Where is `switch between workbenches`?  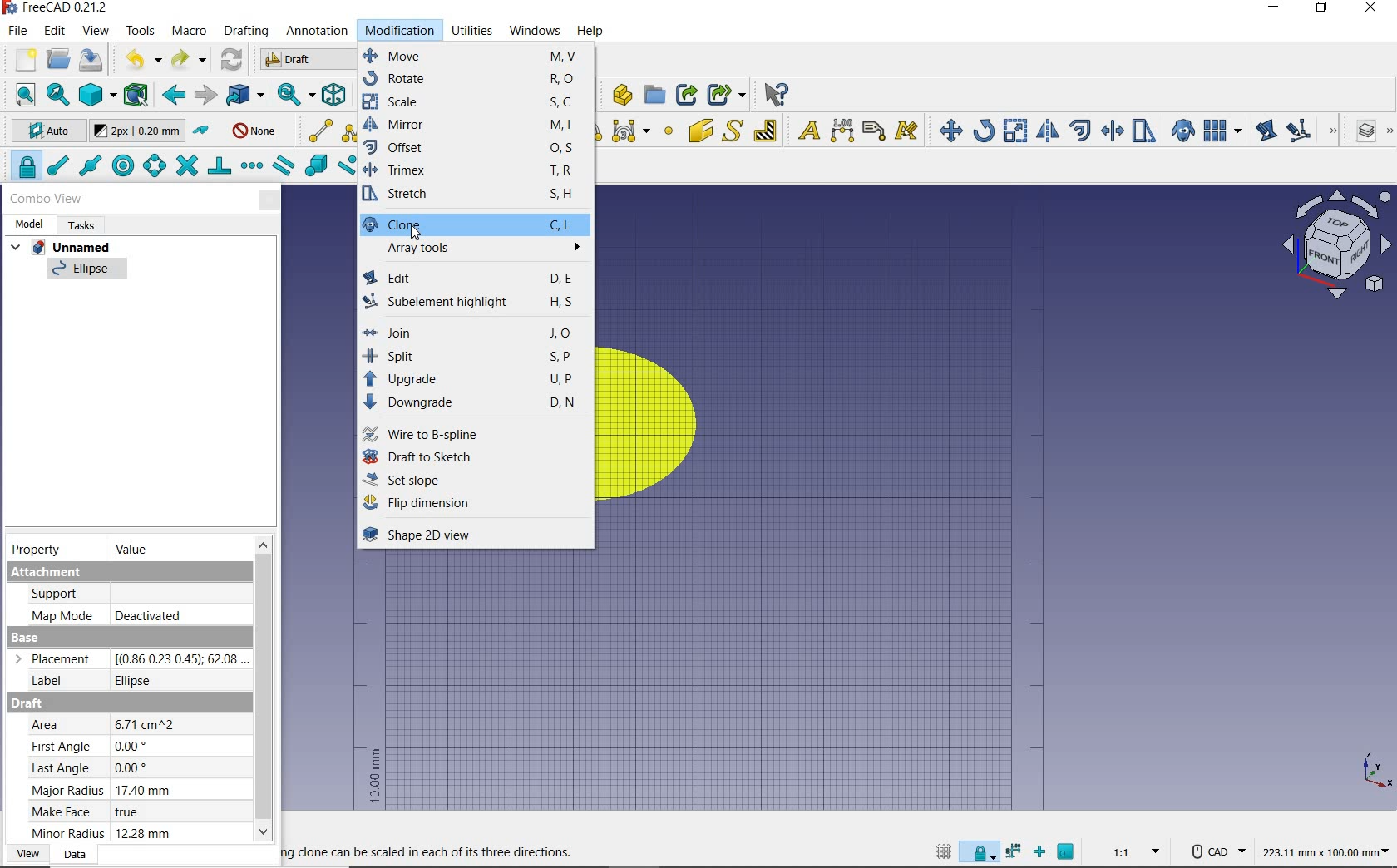
switch between workbenches is located at coordinates (304, 60).